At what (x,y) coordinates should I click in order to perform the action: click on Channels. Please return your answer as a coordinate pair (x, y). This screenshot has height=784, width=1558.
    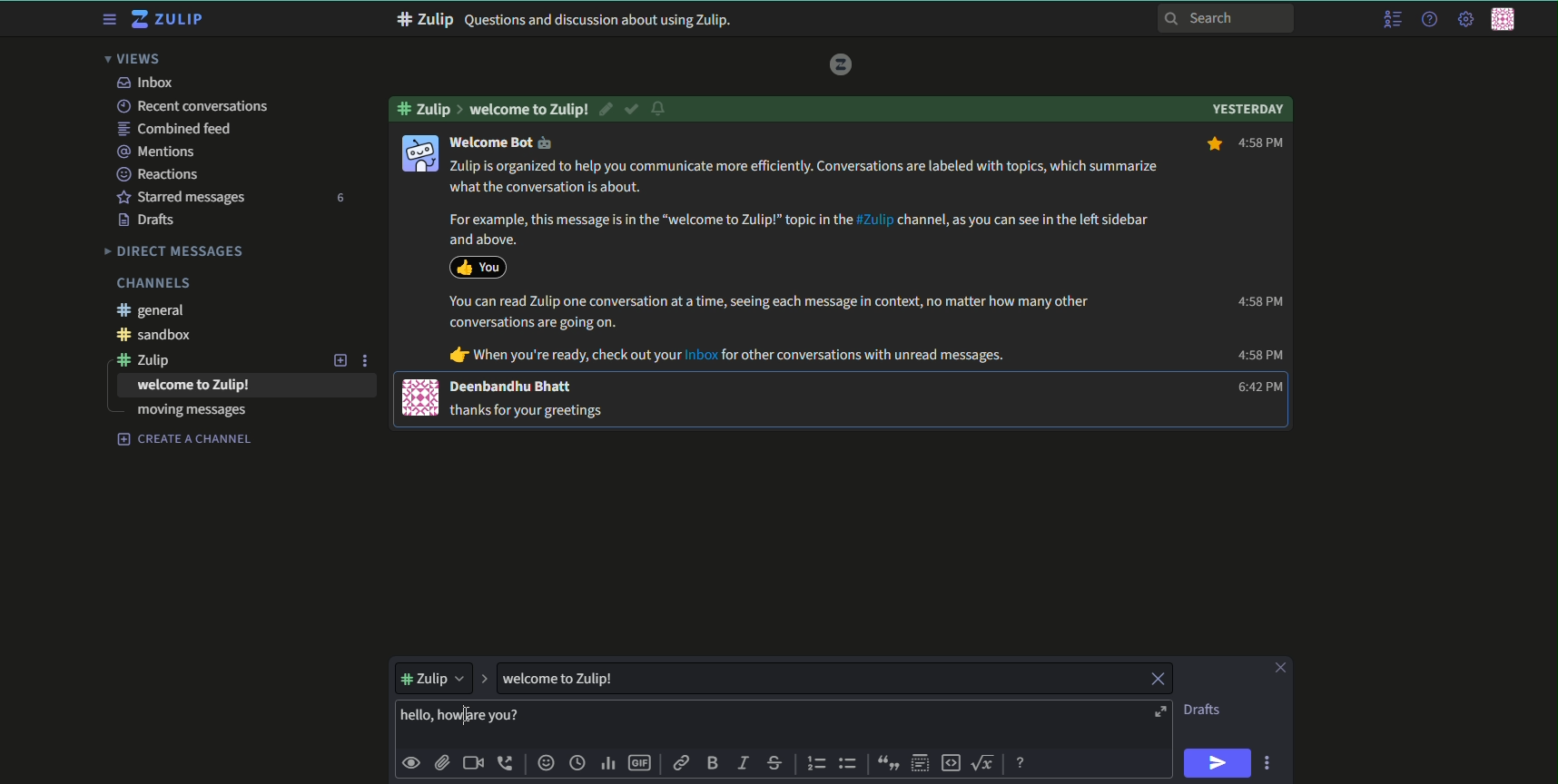
    Looking at the image, I should click on (153, 283).